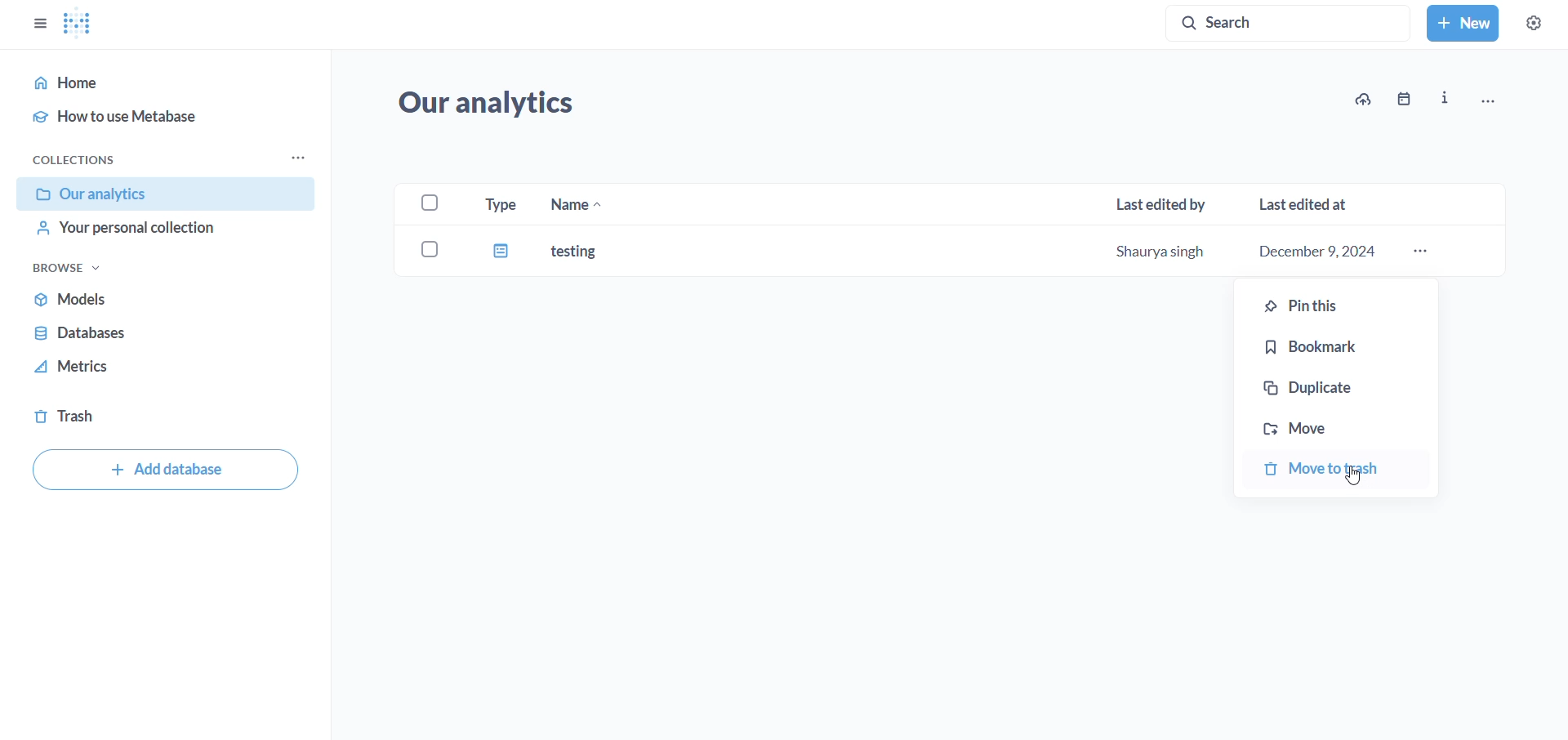  I want to click on testing dashboard, so click(597, 250).